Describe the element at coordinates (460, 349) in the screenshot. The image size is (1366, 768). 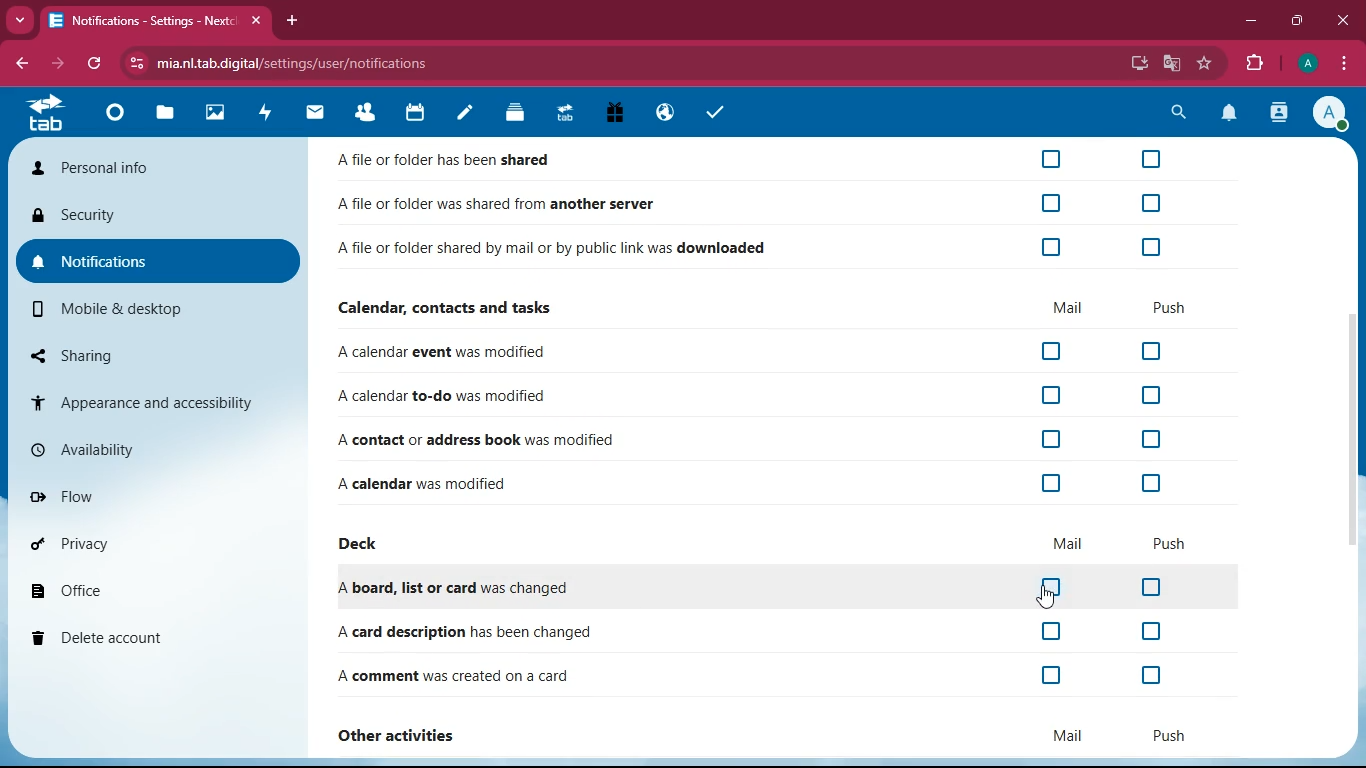
I see `A calendar event was modified` at that location.